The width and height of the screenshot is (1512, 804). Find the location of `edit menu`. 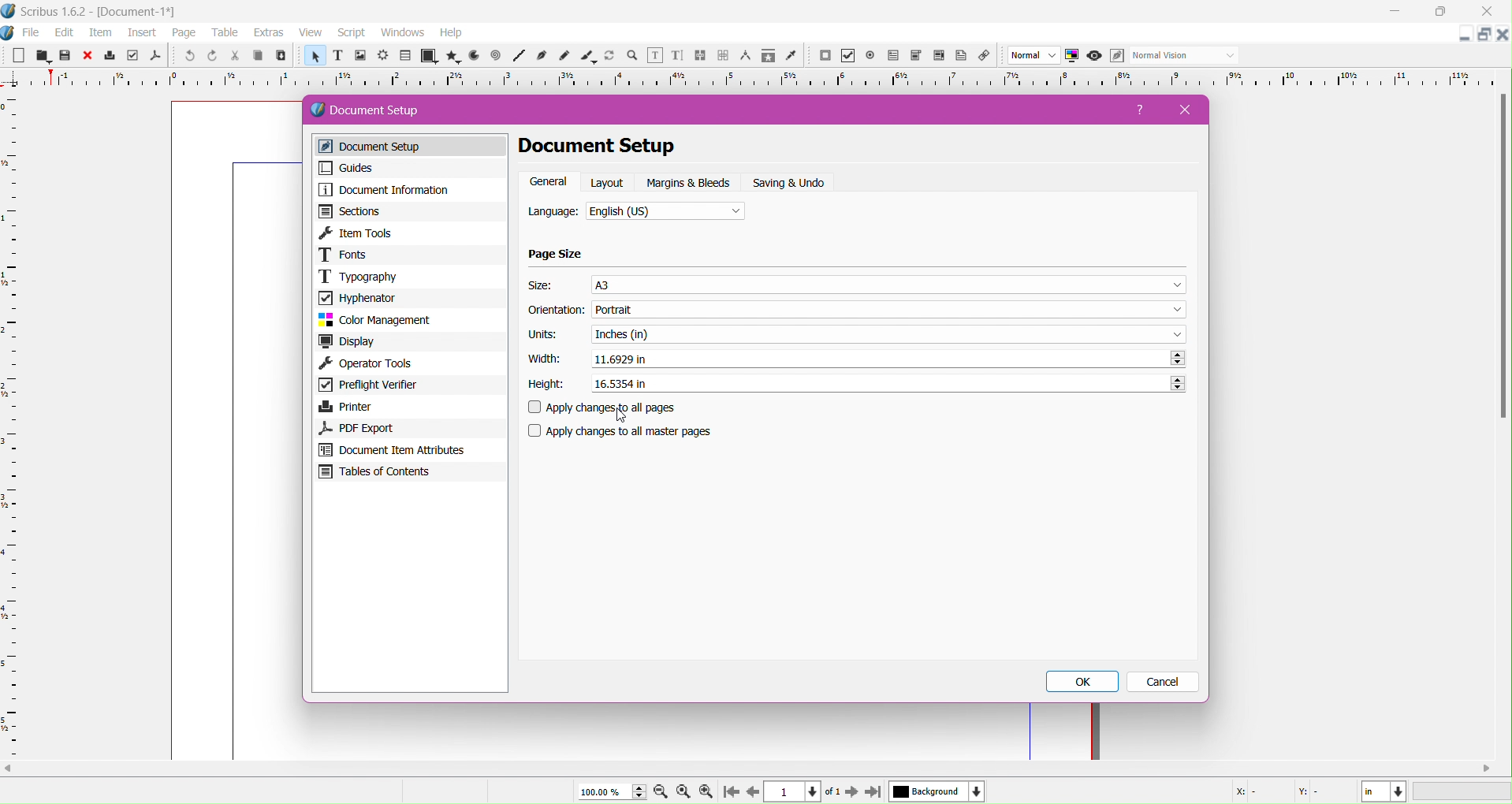

edit menu is located at coordinates (65, 33).